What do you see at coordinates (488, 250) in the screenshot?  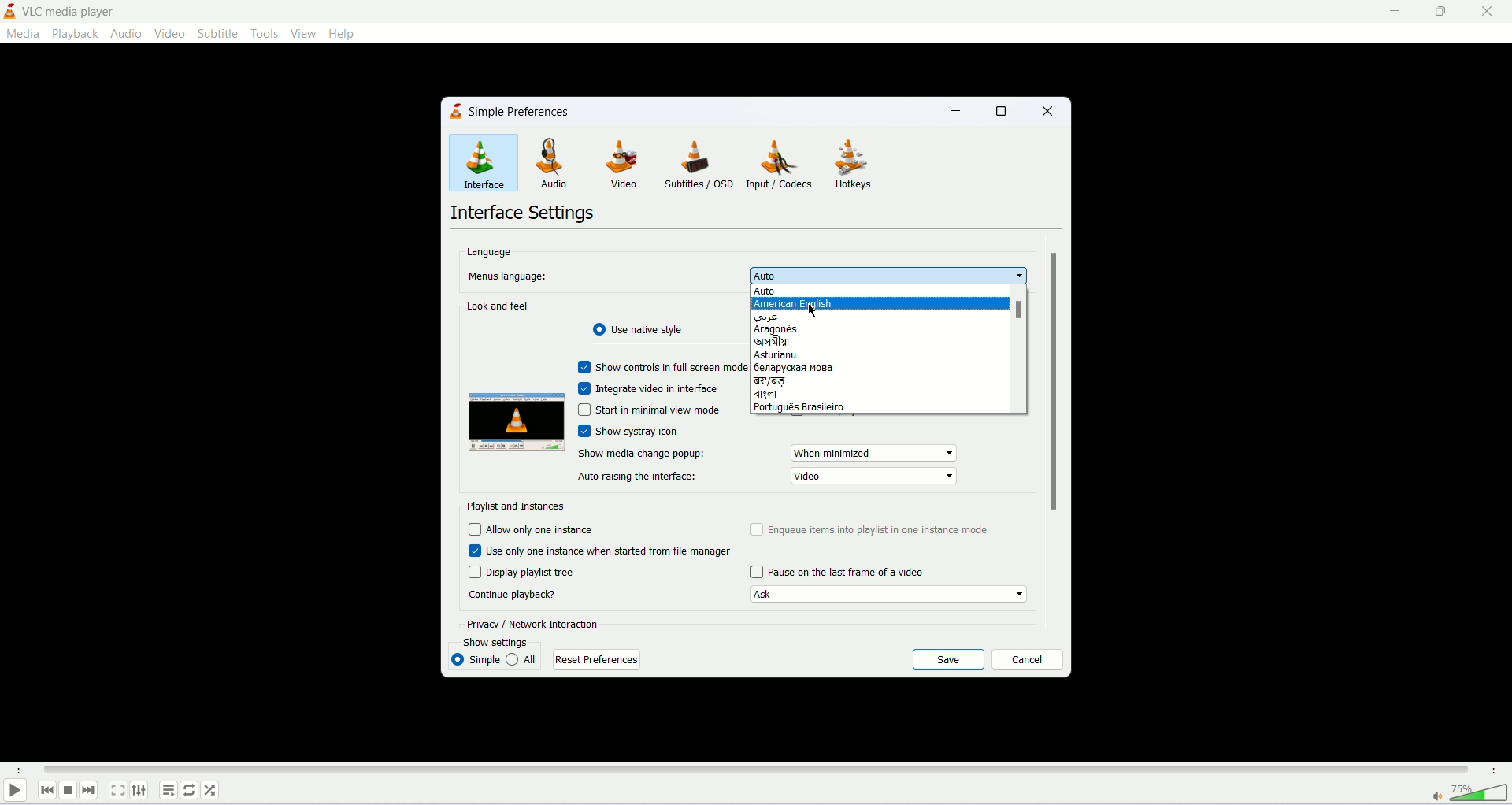 I see `language` at bounding box center [488, 250].